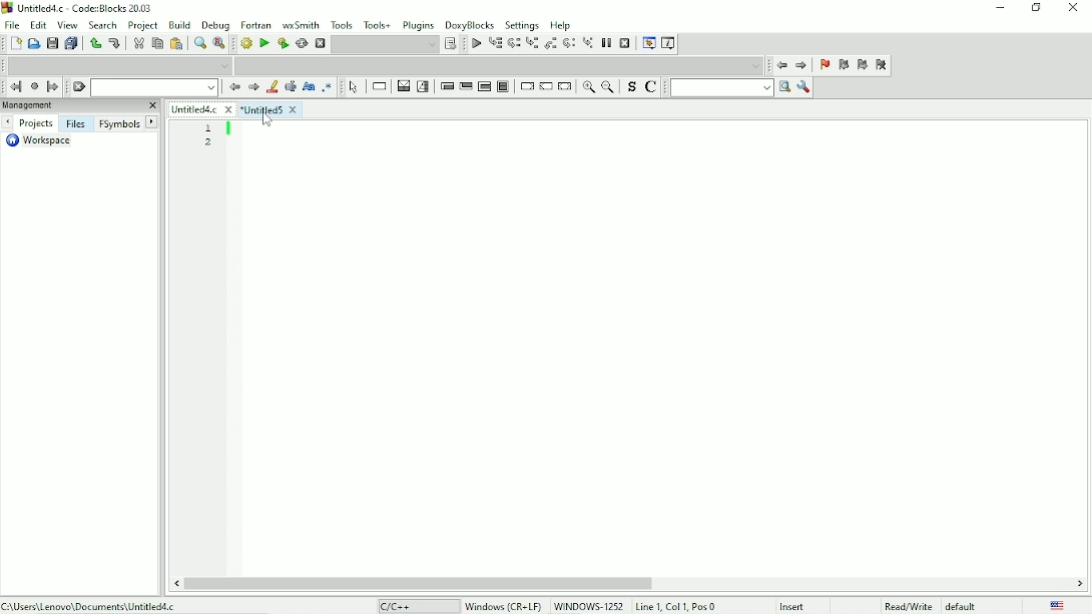 This screenshot has width=1092, height=614. What do you see at coordinates (395, 44) in the screenshot?
I see `Show the select target dialog ` at bounding box center [395, 44].